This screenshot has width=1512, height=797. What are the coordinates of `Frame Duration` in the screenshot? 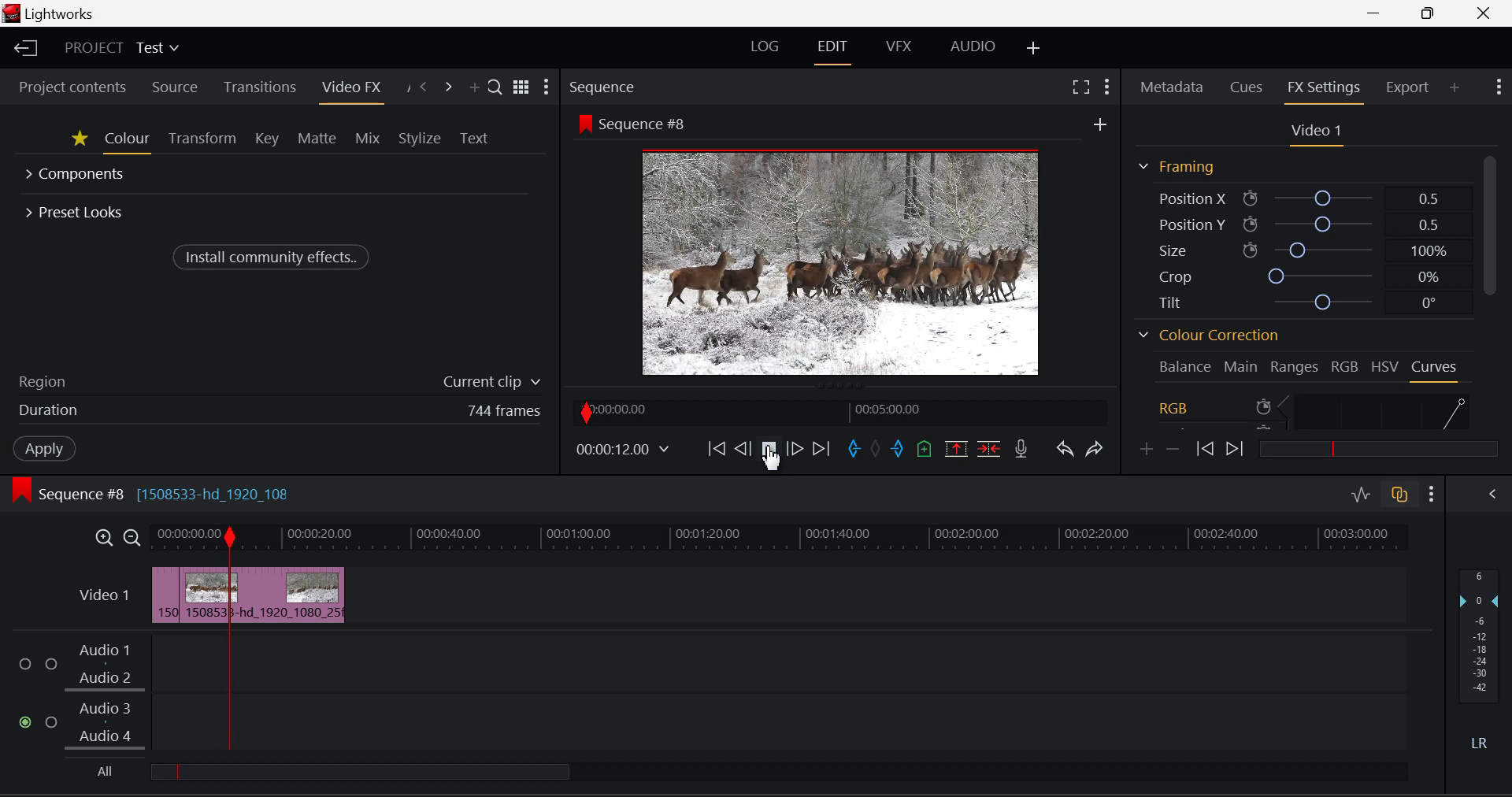 It's located at (280, 411).